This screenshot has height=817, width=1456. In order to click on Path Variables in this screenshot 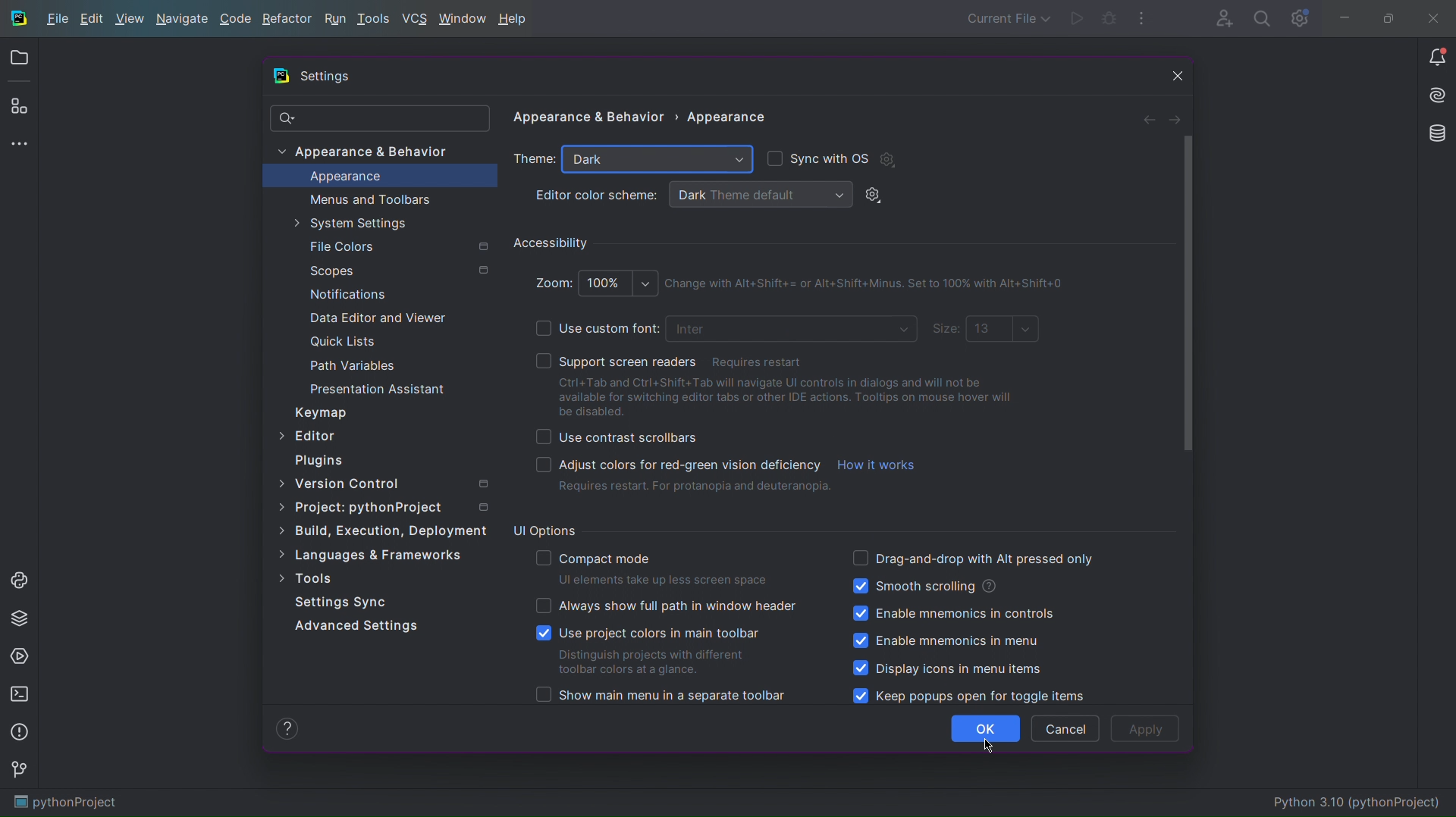, I will do `click(356, 365)`.